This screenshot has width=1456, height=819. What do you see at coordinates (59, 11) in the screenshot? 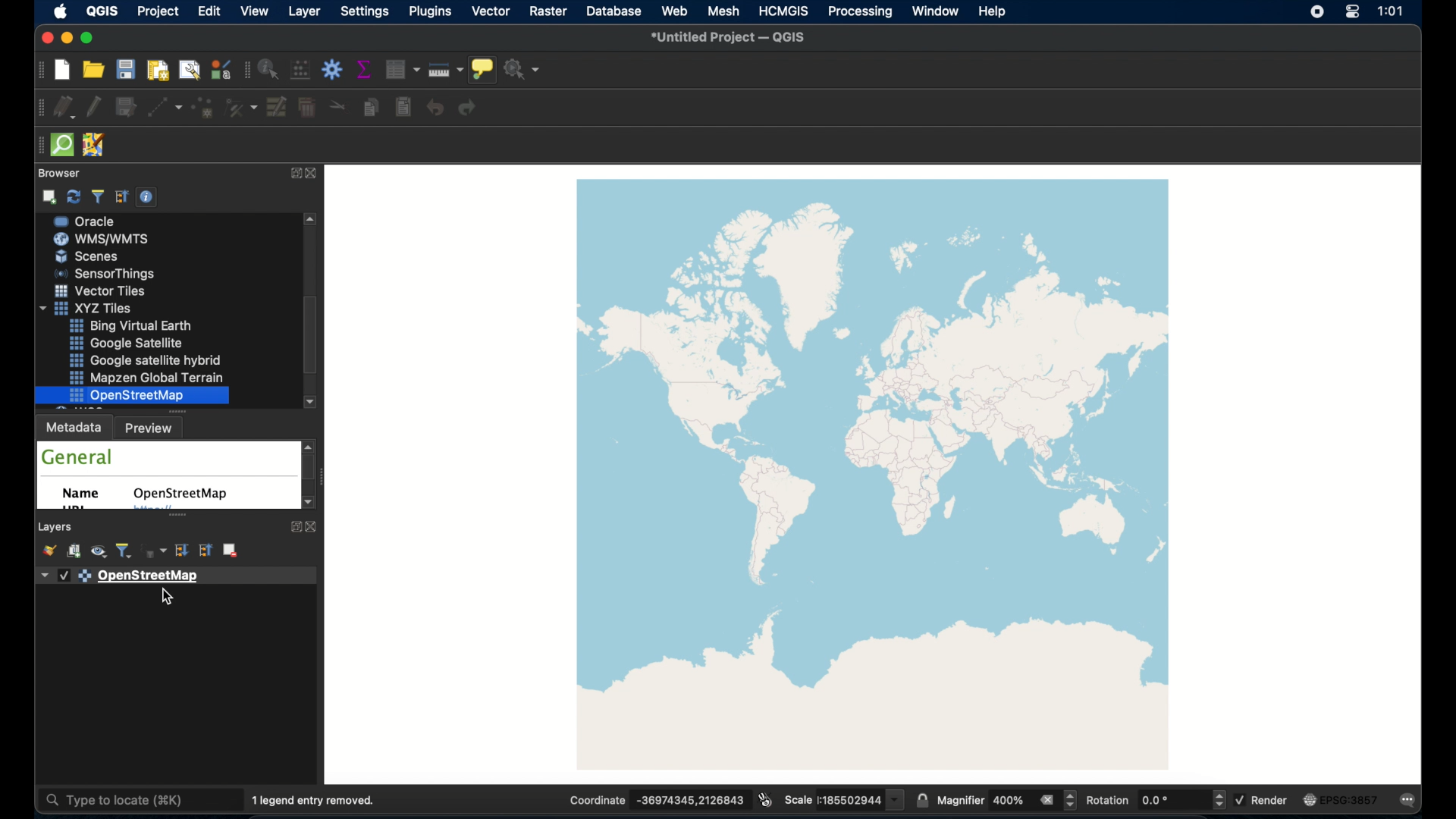
I see `apple icon` at bounding box center [59, 11].